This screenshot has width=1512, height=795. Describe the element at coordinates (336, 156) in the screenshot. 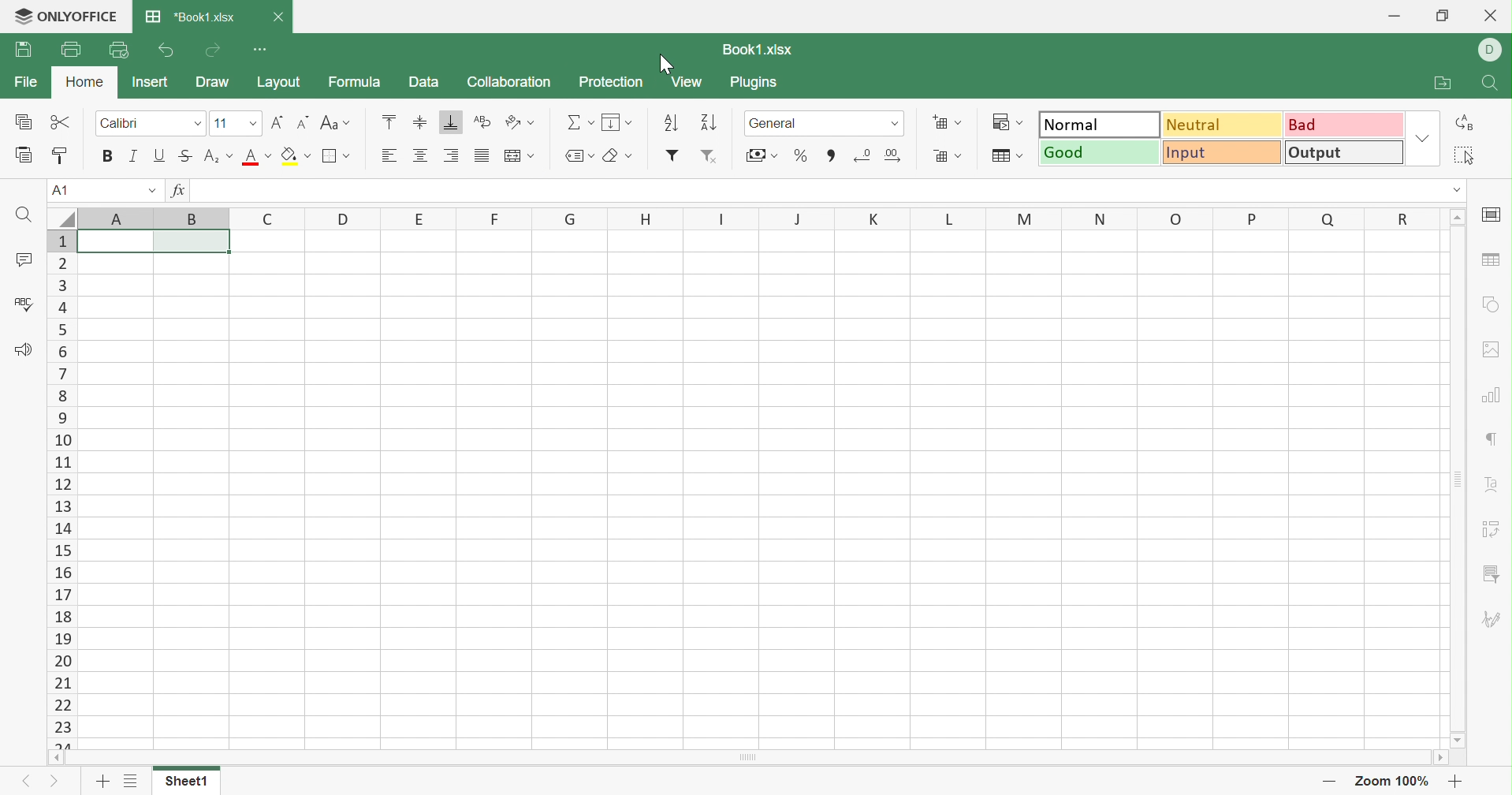

I see `Borders` at that location.